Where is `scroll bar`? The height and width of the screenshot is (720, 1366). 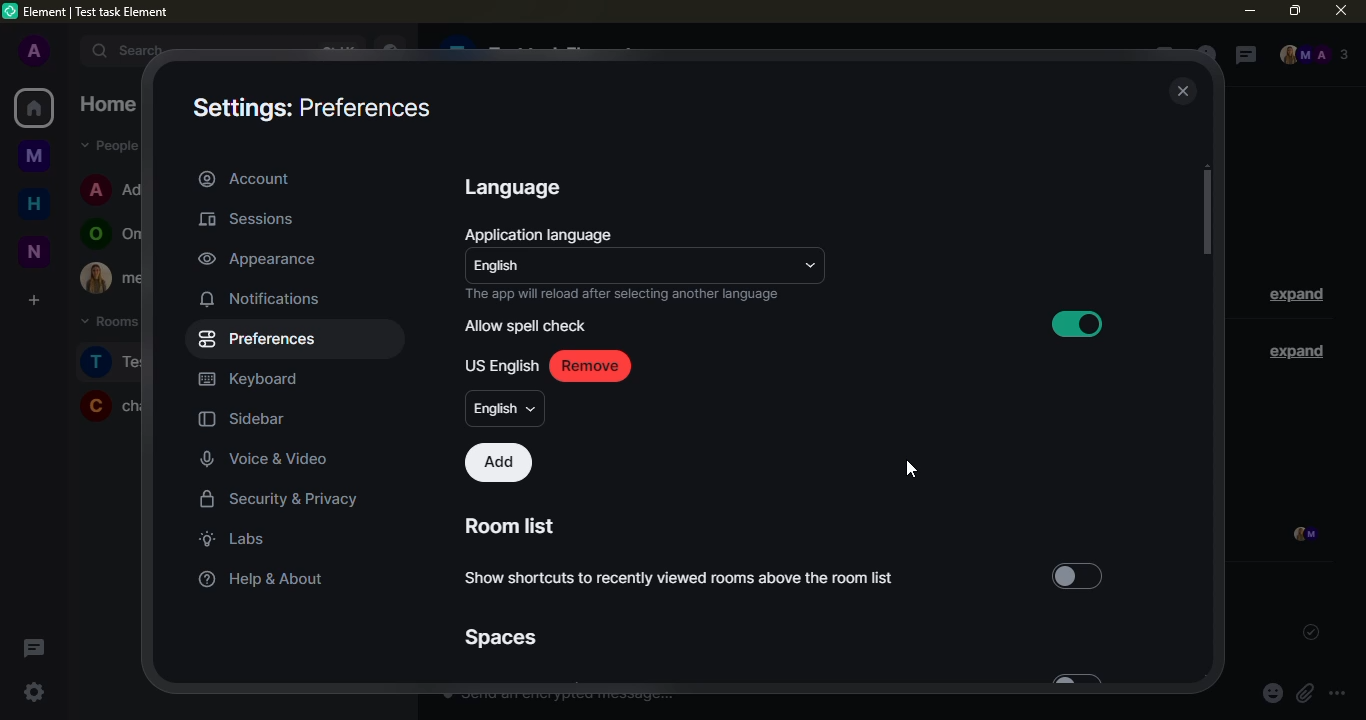 scroll bar is located at coordinates (1206, 213).